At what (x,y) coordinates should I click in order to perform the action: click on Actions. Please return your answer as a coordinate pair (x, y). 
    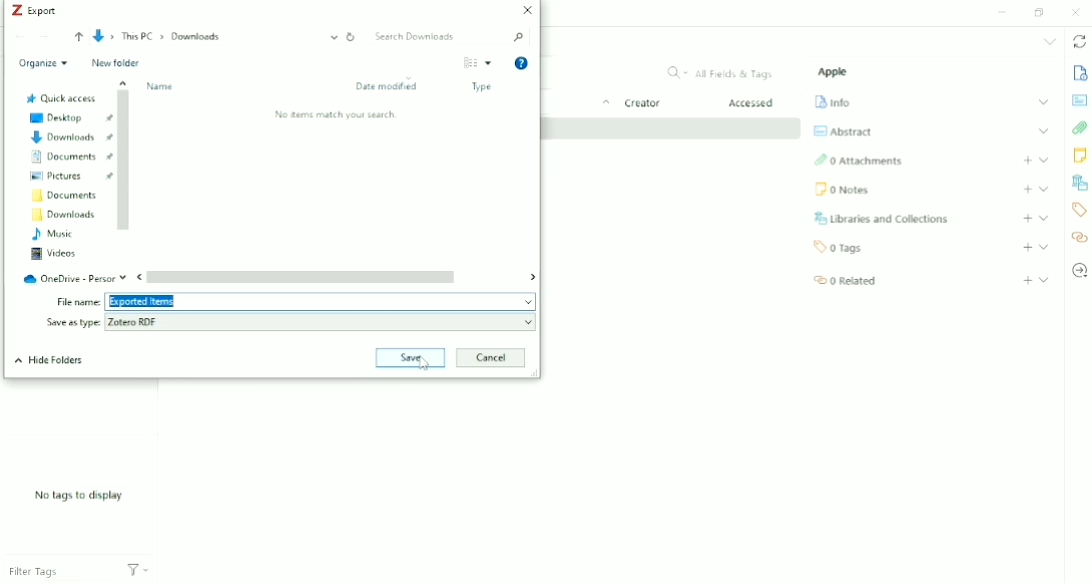
    Looking at the image, I should click on (138, 573).